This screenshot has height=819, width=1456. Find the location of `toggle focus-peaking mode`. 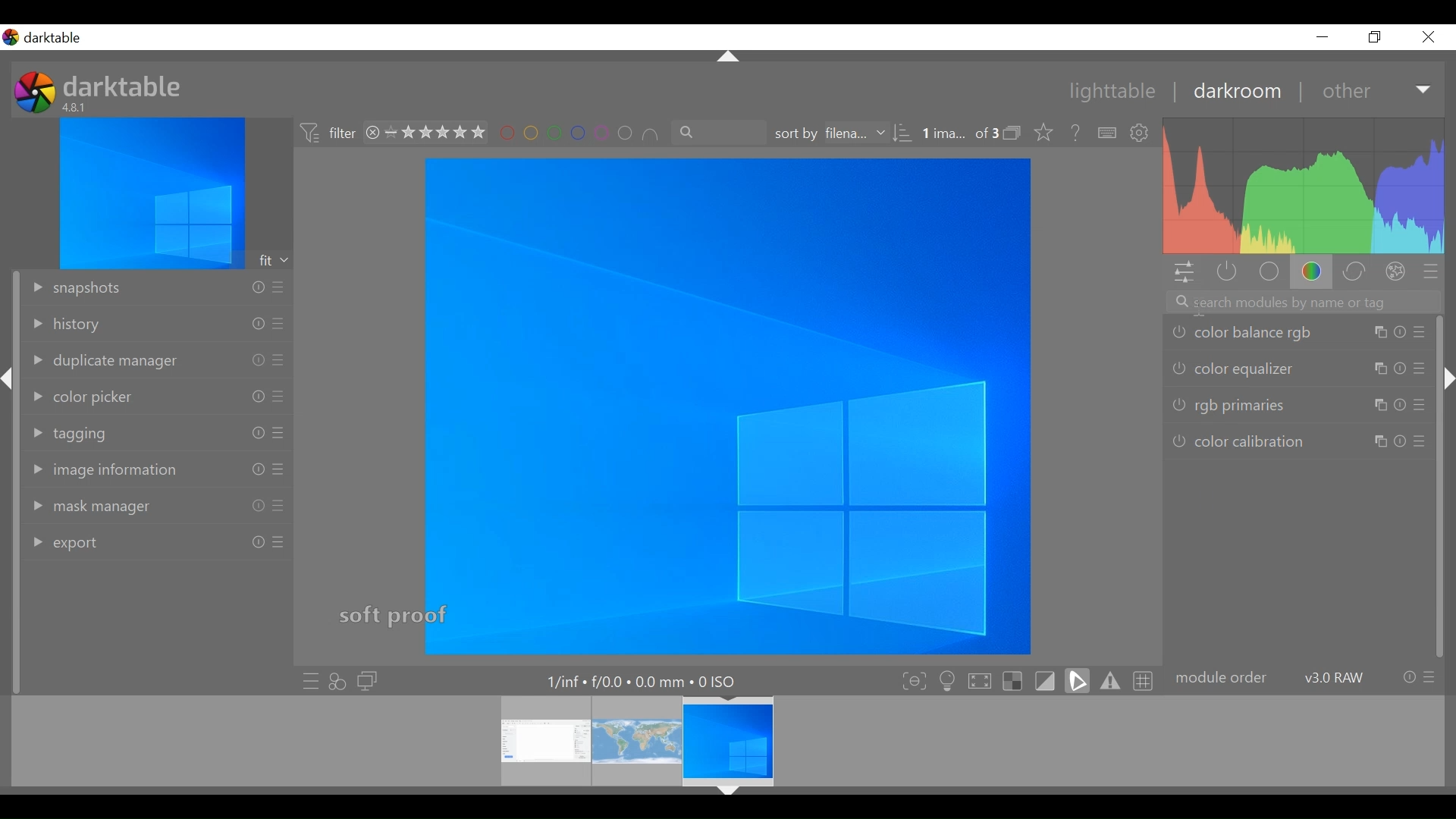

toggle focus-peaking mode is located at coordinates (911, 680).